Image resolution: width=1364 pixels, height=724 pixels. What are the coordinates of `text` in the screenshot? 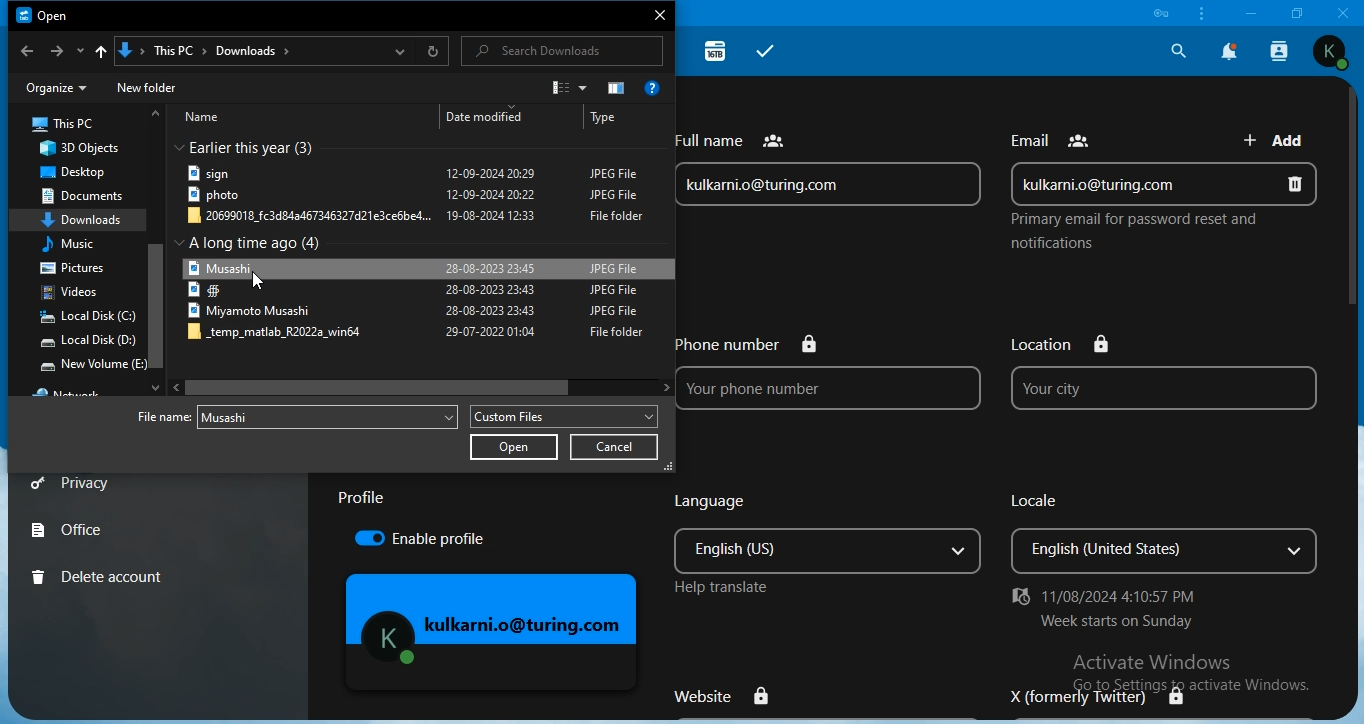 It's located at (361, 501).